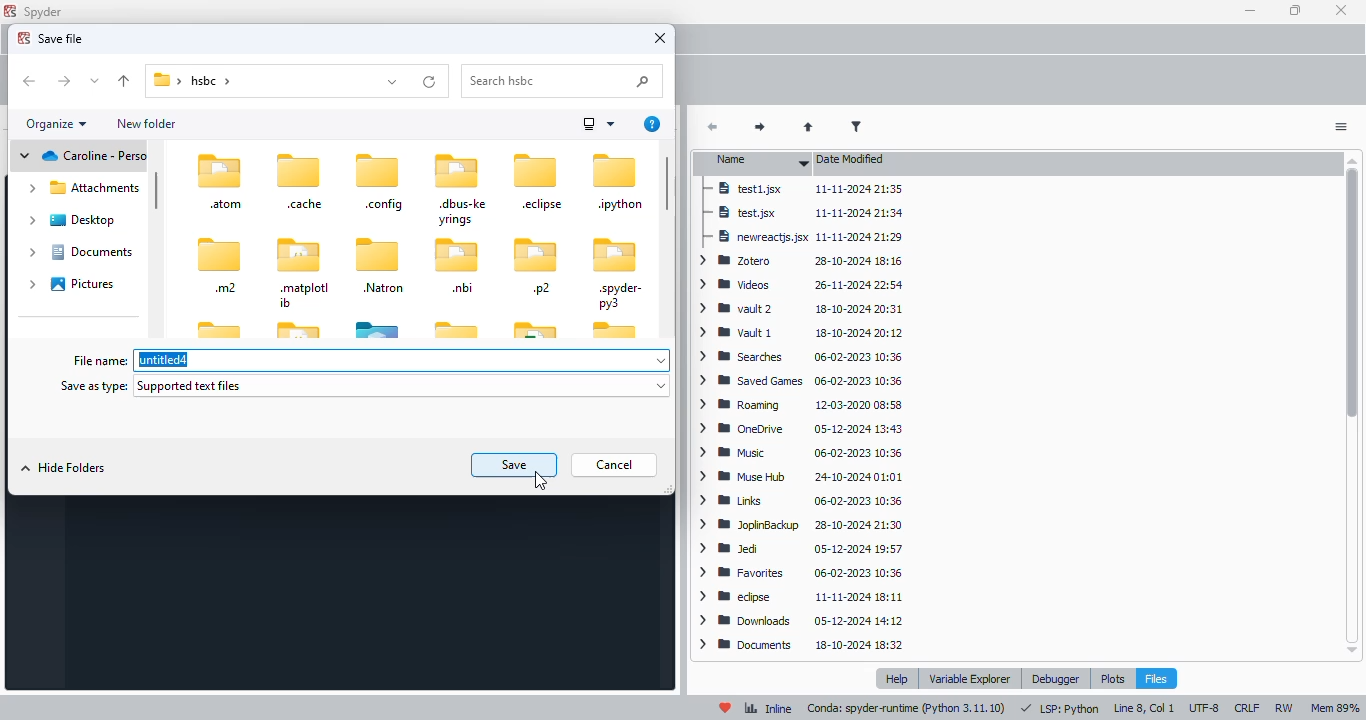 Image resolution: width=1366 pixels, height=720 pixels. What do you see at coordinates (748, 620) in the screenshot?
I see `downloads` at bounding box center [748, 620].